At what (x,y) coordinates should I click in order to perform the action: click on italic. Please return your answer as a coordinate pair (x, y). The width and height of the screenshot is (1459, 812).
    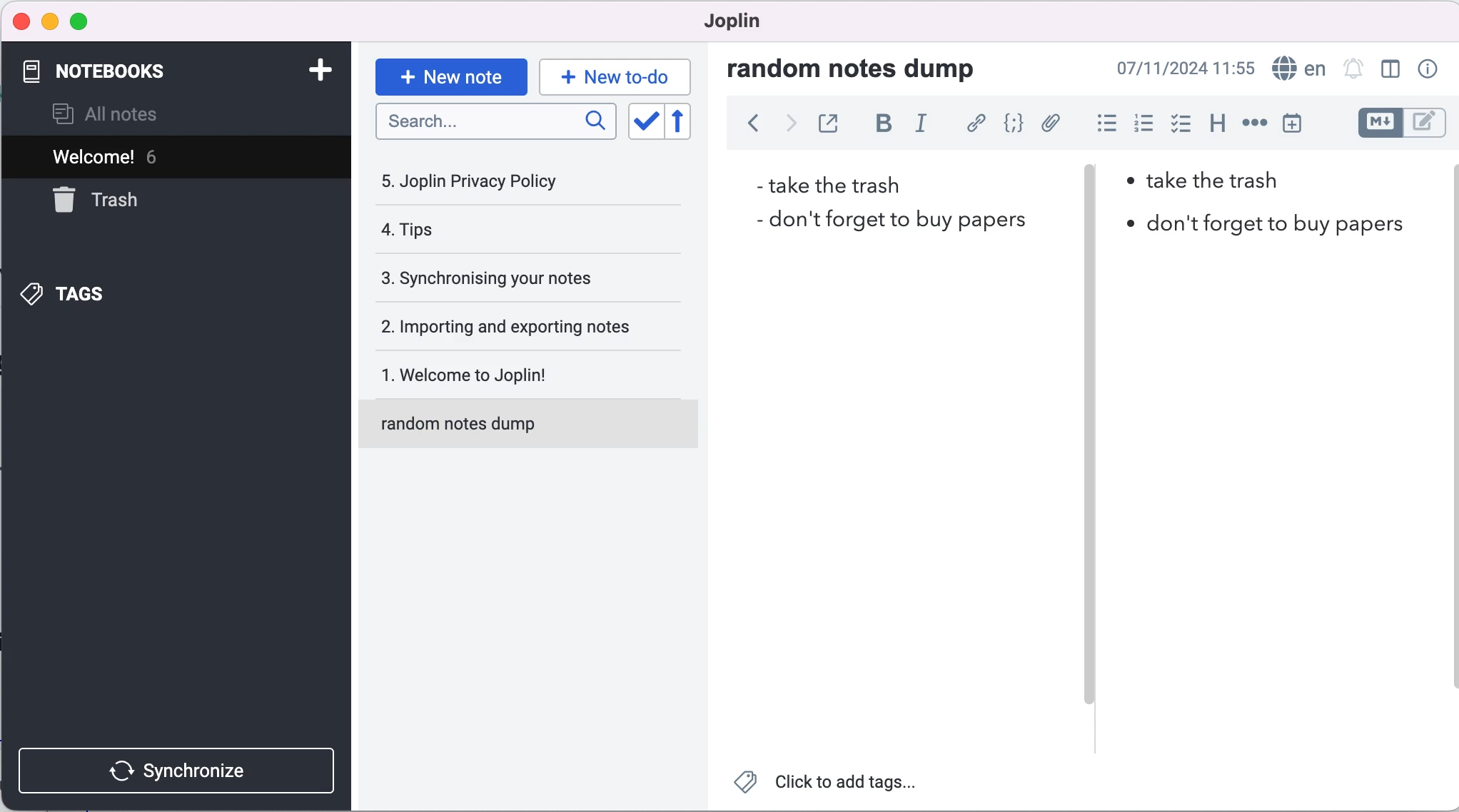
    Looking at the image, I should click on (923, 128).